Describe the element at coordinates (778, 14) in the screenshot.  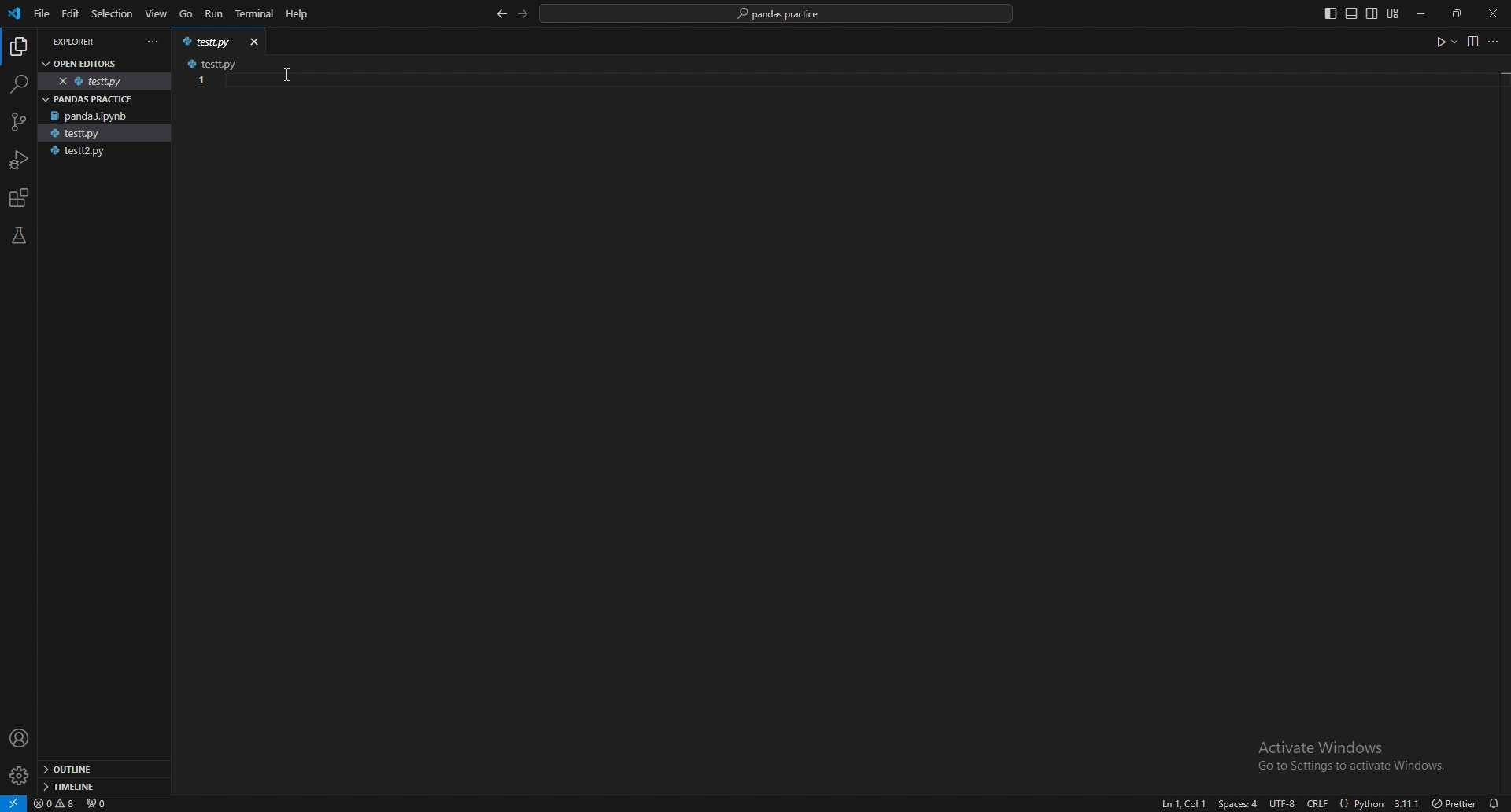
I see `pandas practice` at that location.